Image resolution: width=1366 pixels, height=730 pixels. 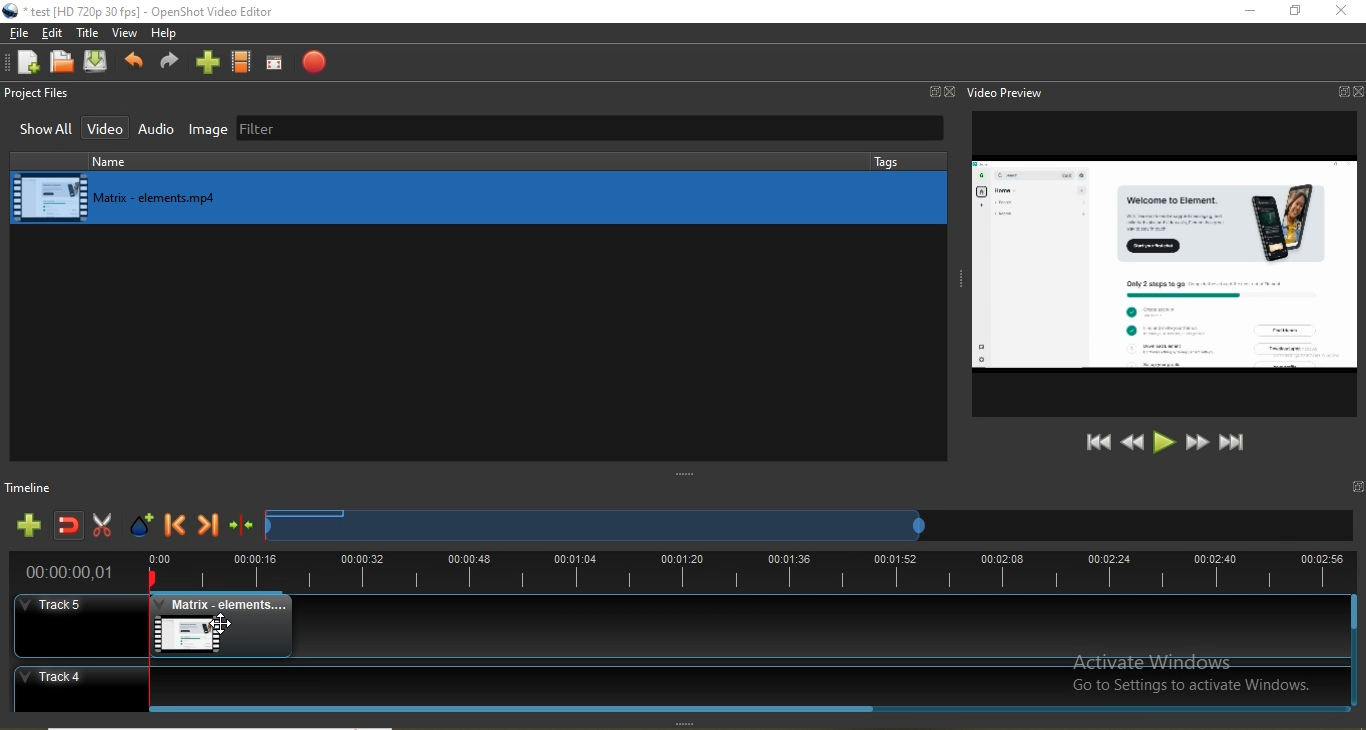 What do you see at coordinates (1096, 442) in the screenshot?
I see `Jump to start` at bounding box center [1096, 442].